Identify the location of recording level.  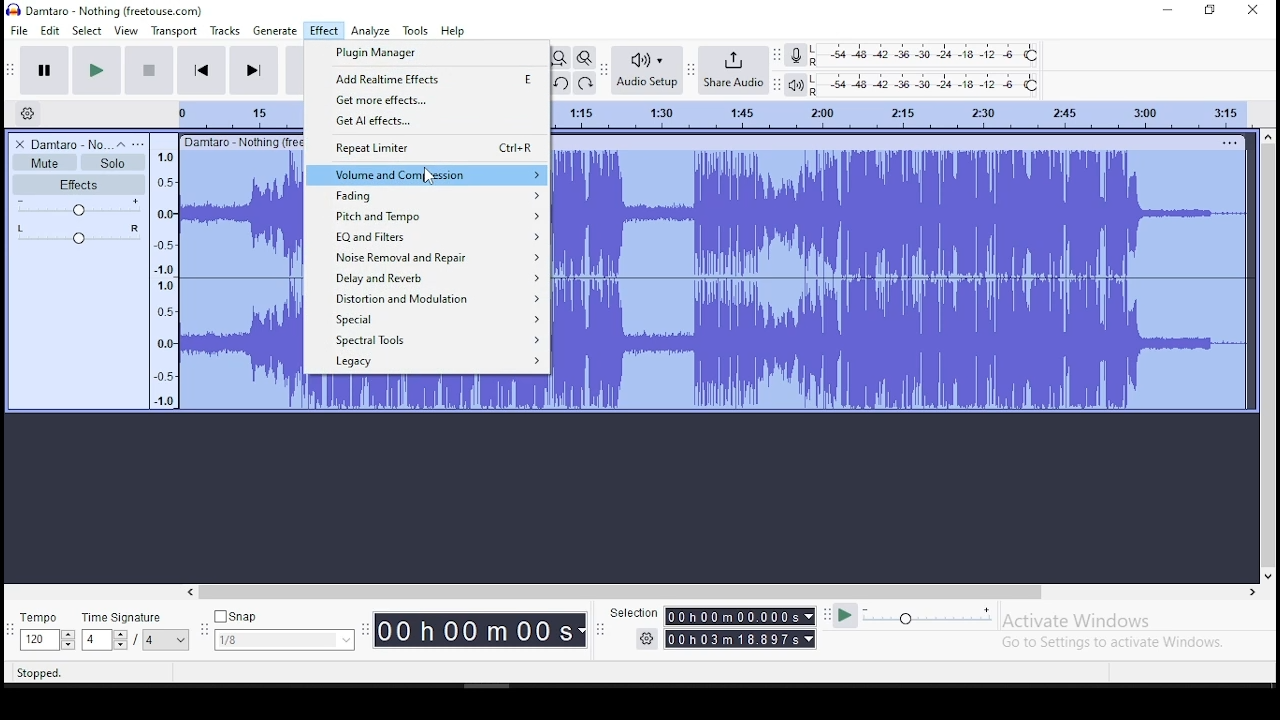
(927, 55).